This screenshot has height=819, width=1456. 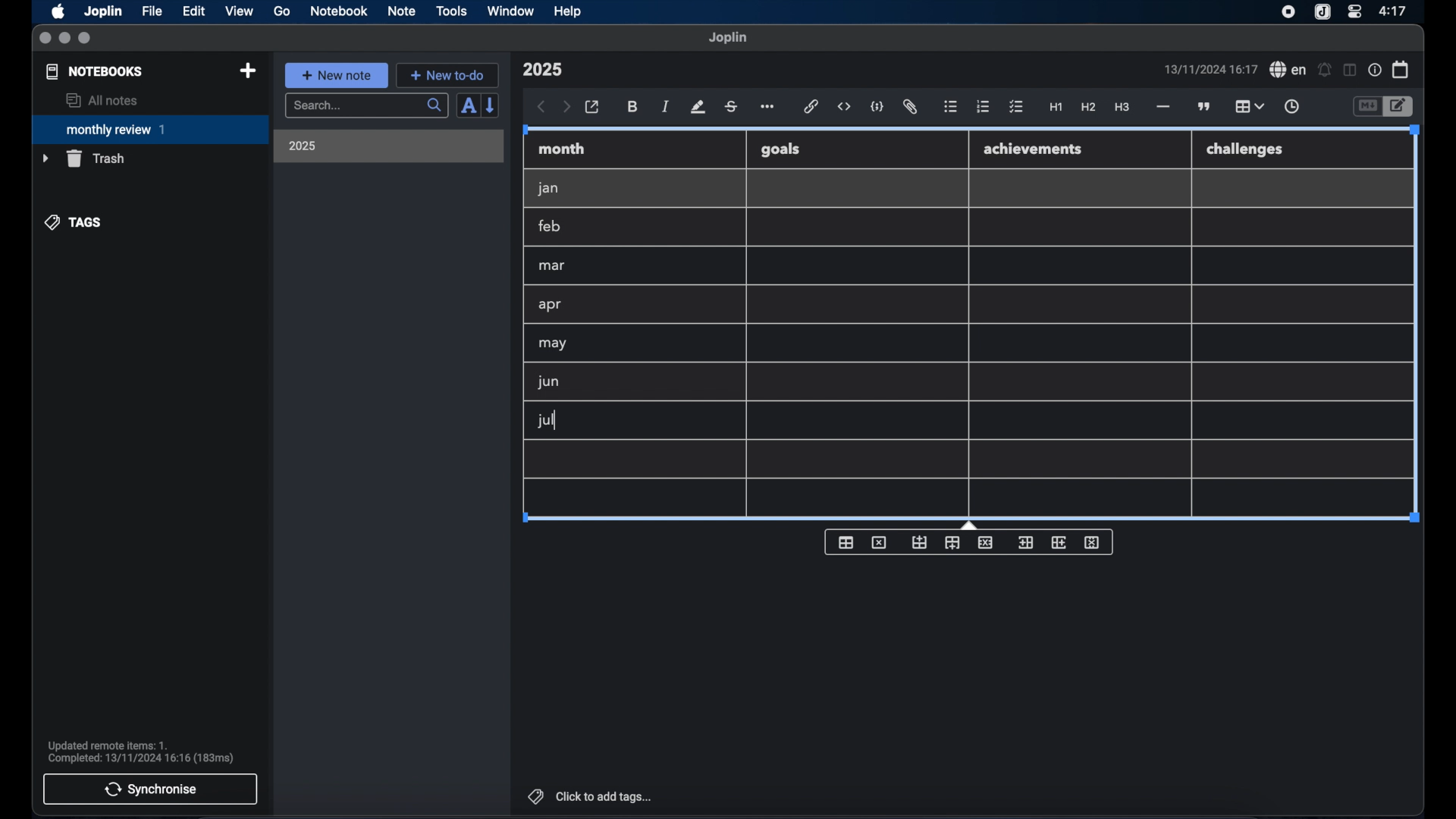 What do you see at coordinates (987, 541) in the screenshot?
I see `delete row` at bounding box center [987, 541].